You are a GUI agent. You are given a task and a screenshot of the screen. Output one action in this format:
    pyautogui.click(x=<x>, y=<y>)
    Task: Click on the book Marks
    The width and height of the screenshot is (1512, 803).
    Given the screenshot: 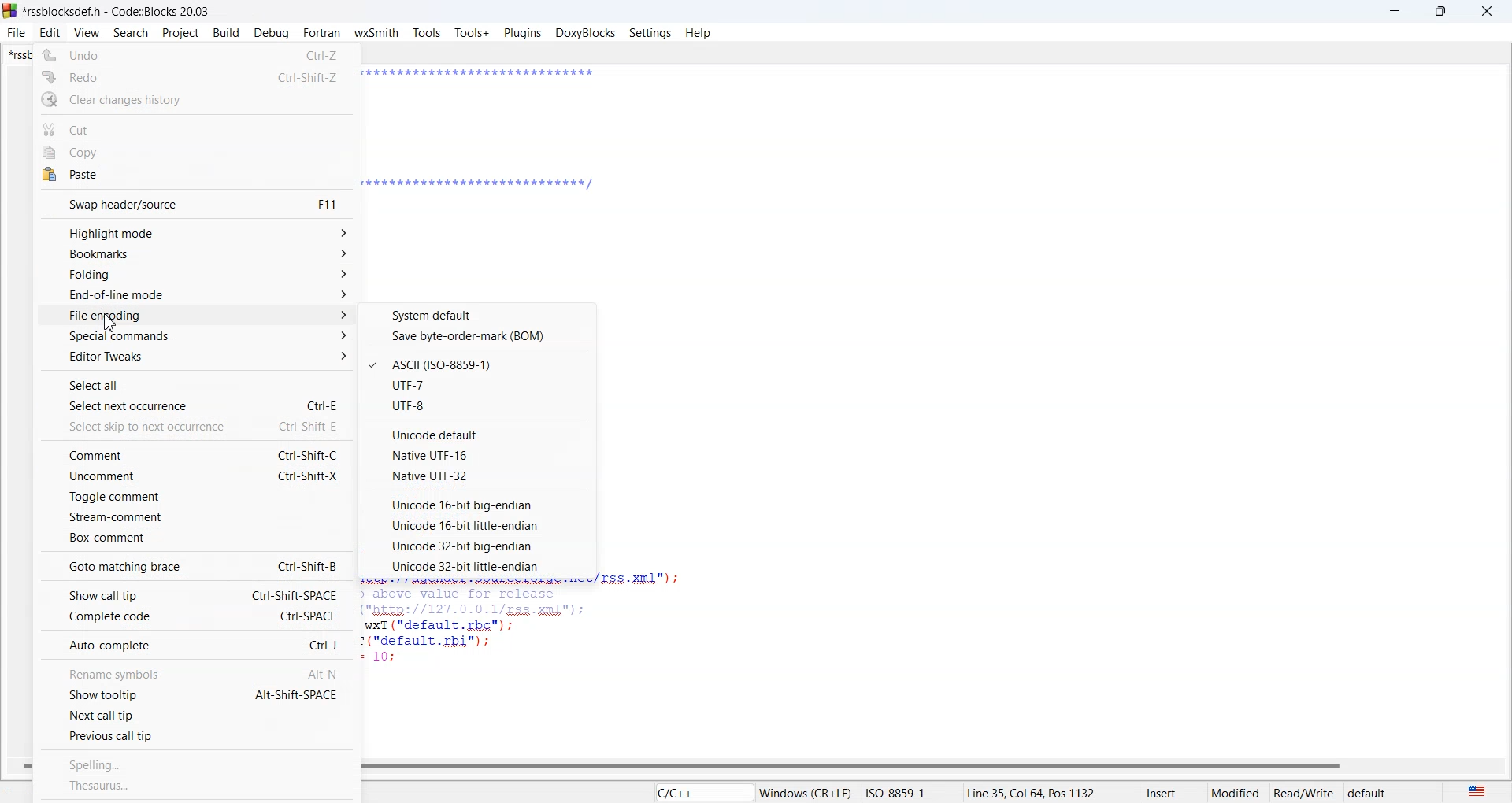 What is the action you would take?
    pyautogui.click(x=199, y=255)
    